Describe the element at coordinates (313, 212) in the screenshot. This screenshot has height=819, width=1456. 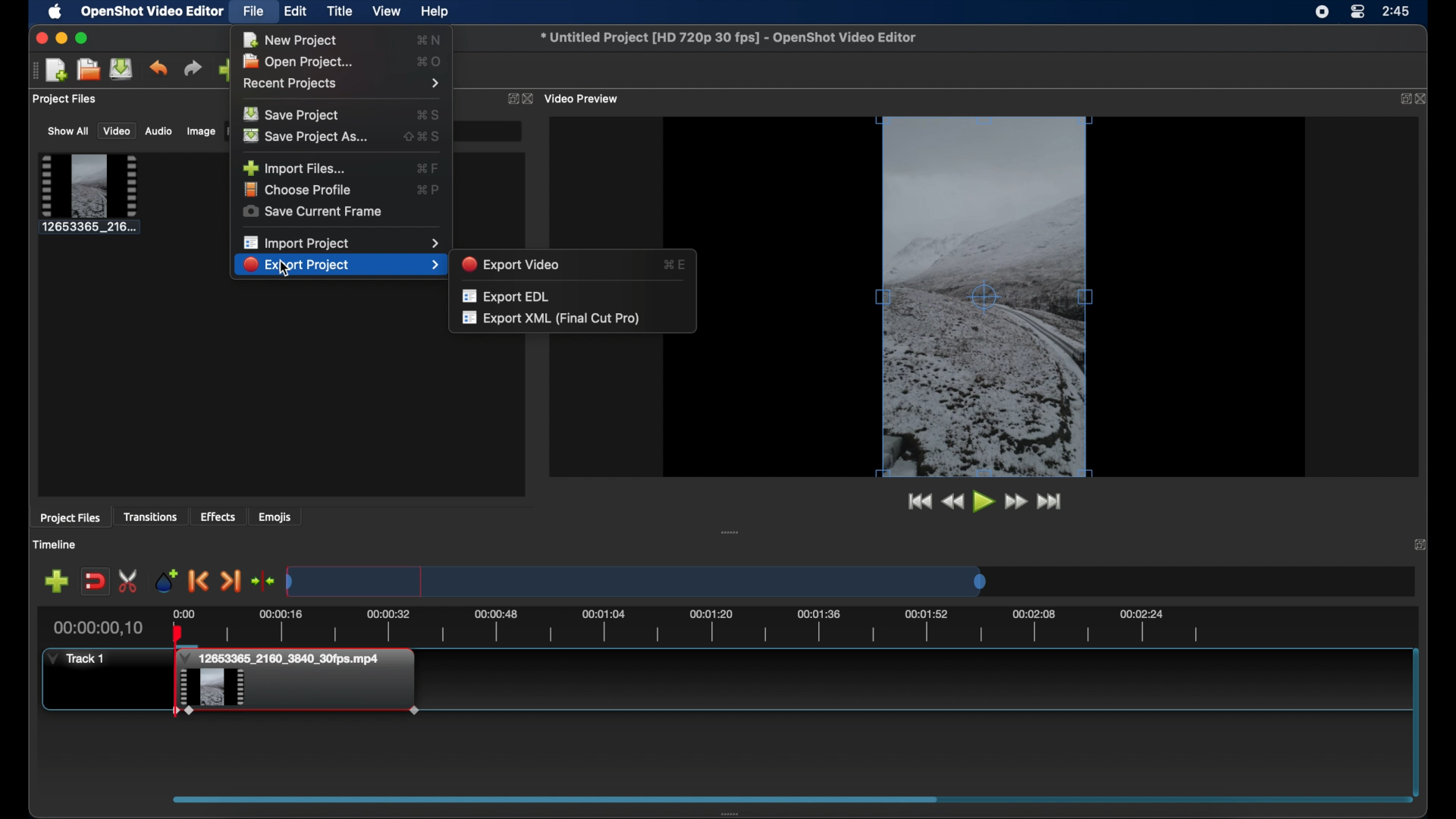
I see `save current fram` at that location.